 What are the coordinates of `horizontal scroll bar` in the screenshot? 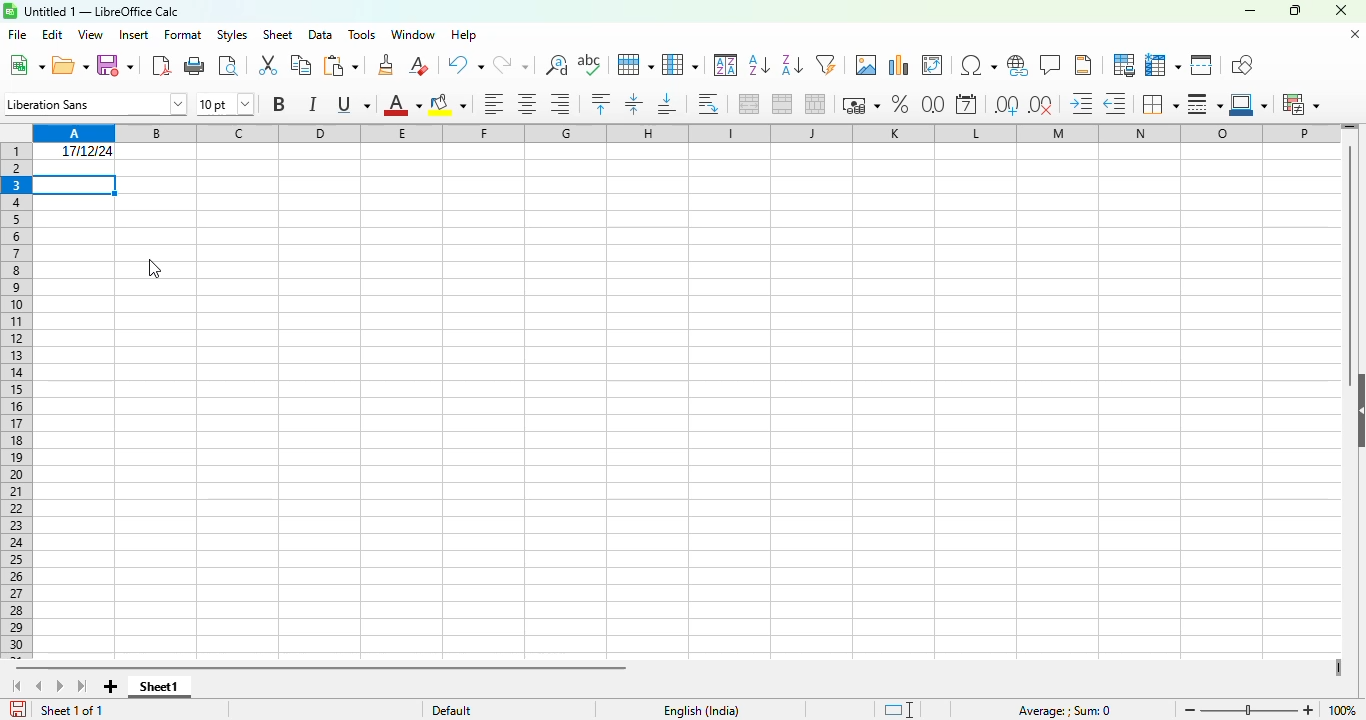 It's located at (325, 669).